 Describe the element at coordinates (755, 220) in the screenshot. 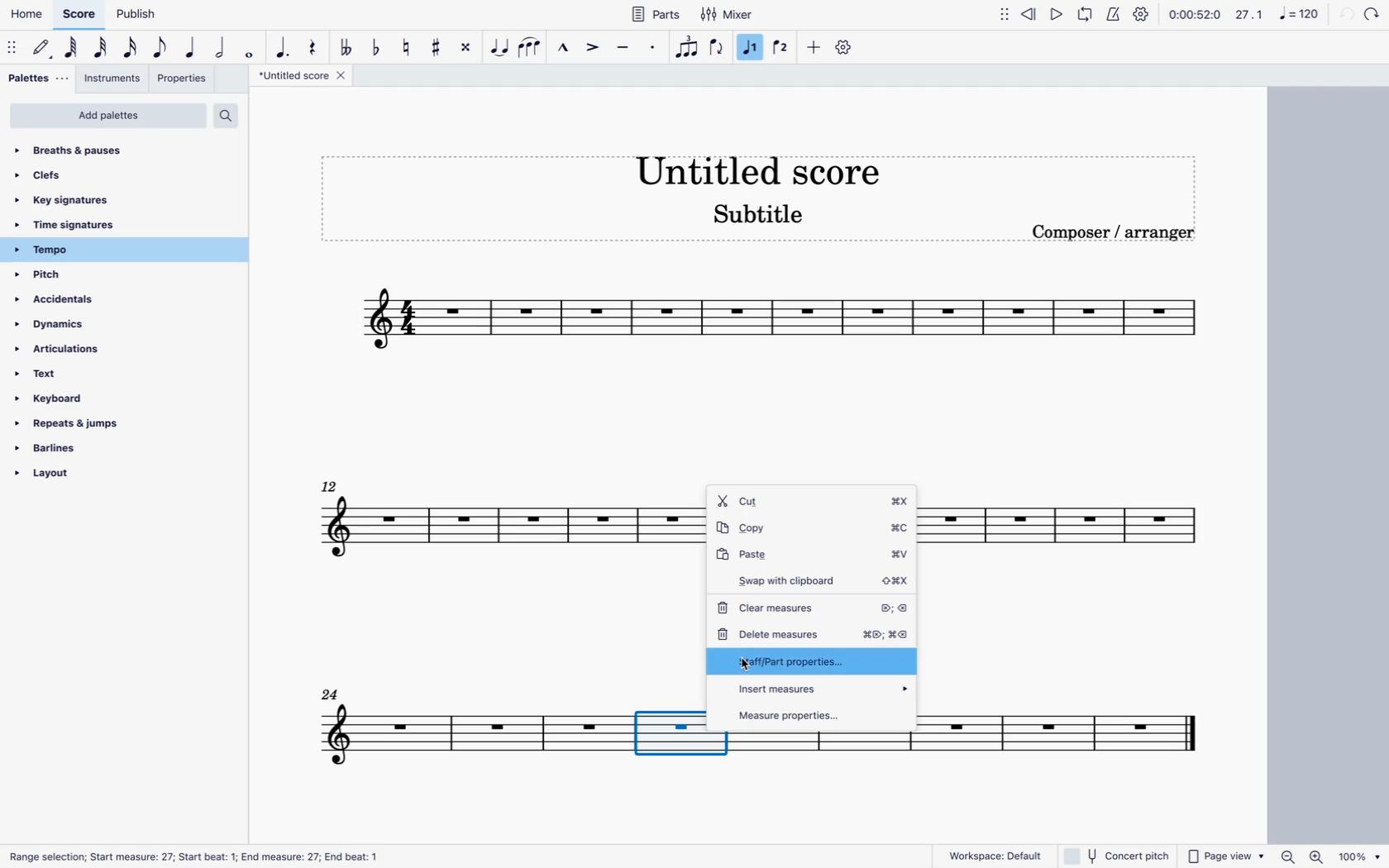

I see `score subtitle` at that location.